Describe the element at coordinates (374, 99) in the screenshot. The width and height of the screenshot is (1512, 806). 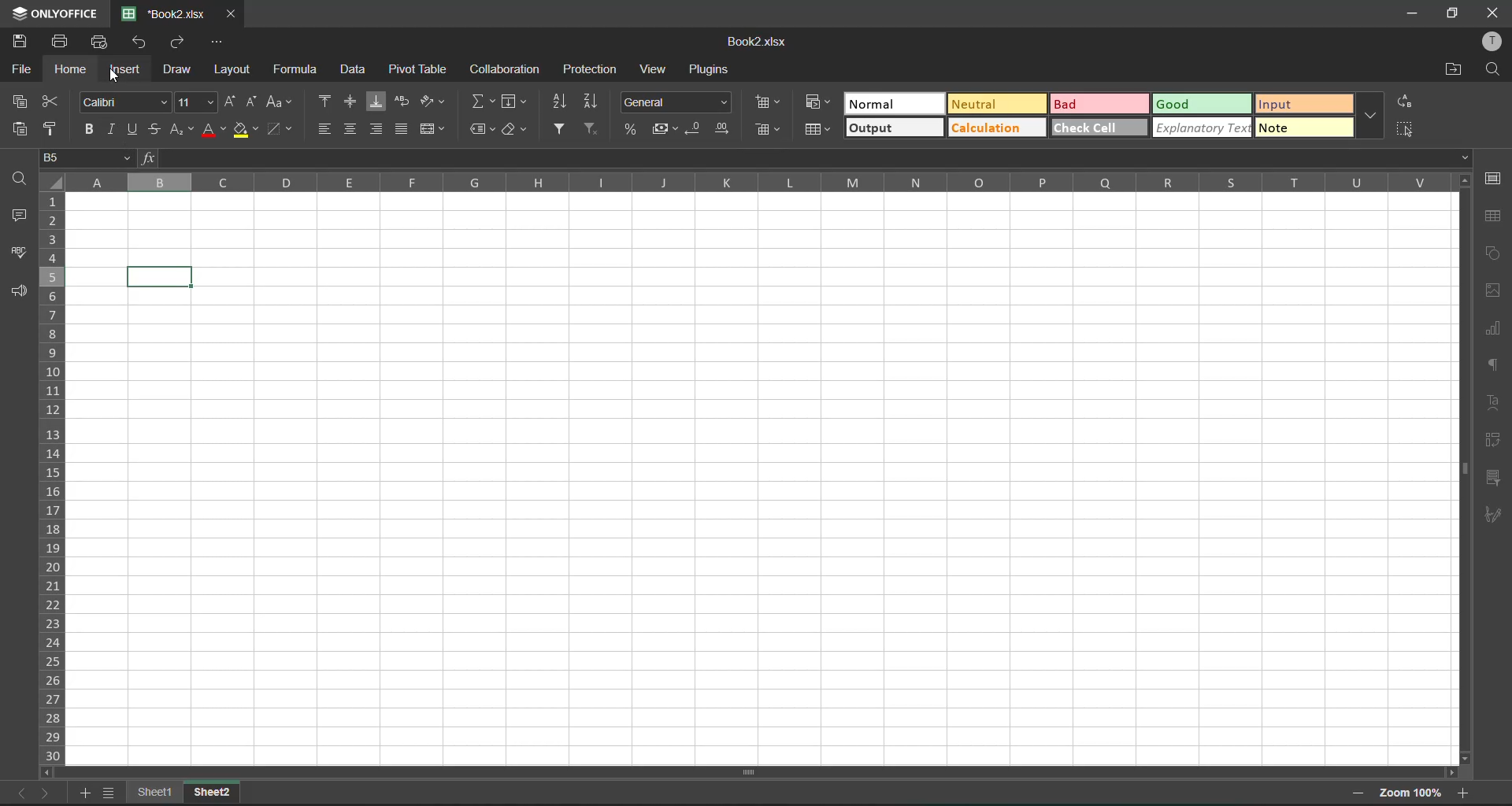
I see `align bottom` at that location.